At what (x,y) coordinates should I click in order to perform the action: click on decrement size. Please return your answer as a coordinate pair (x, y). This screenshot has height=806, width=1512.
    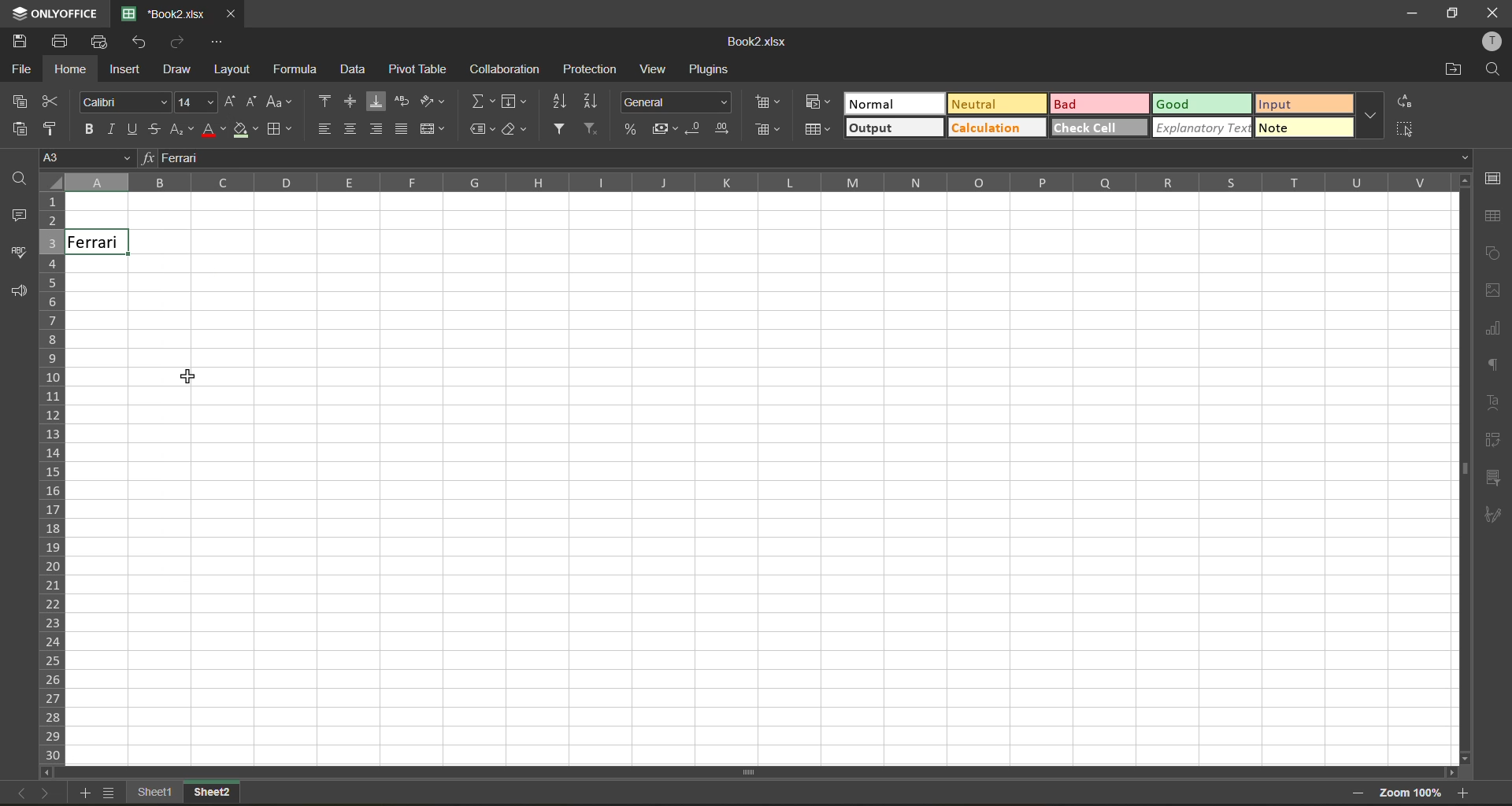
    Looking at the image, I should click on (255, 102).